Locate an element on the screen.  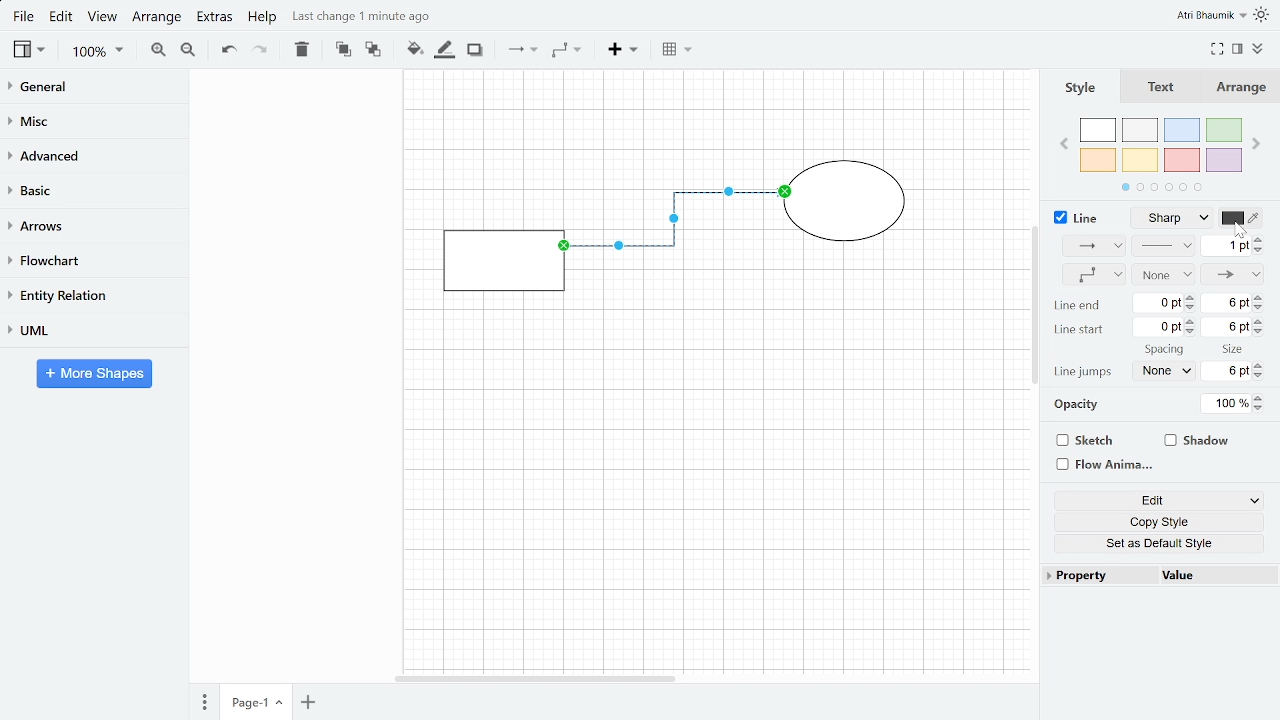
Increase Line end size is located at coordinates (1259, 296).